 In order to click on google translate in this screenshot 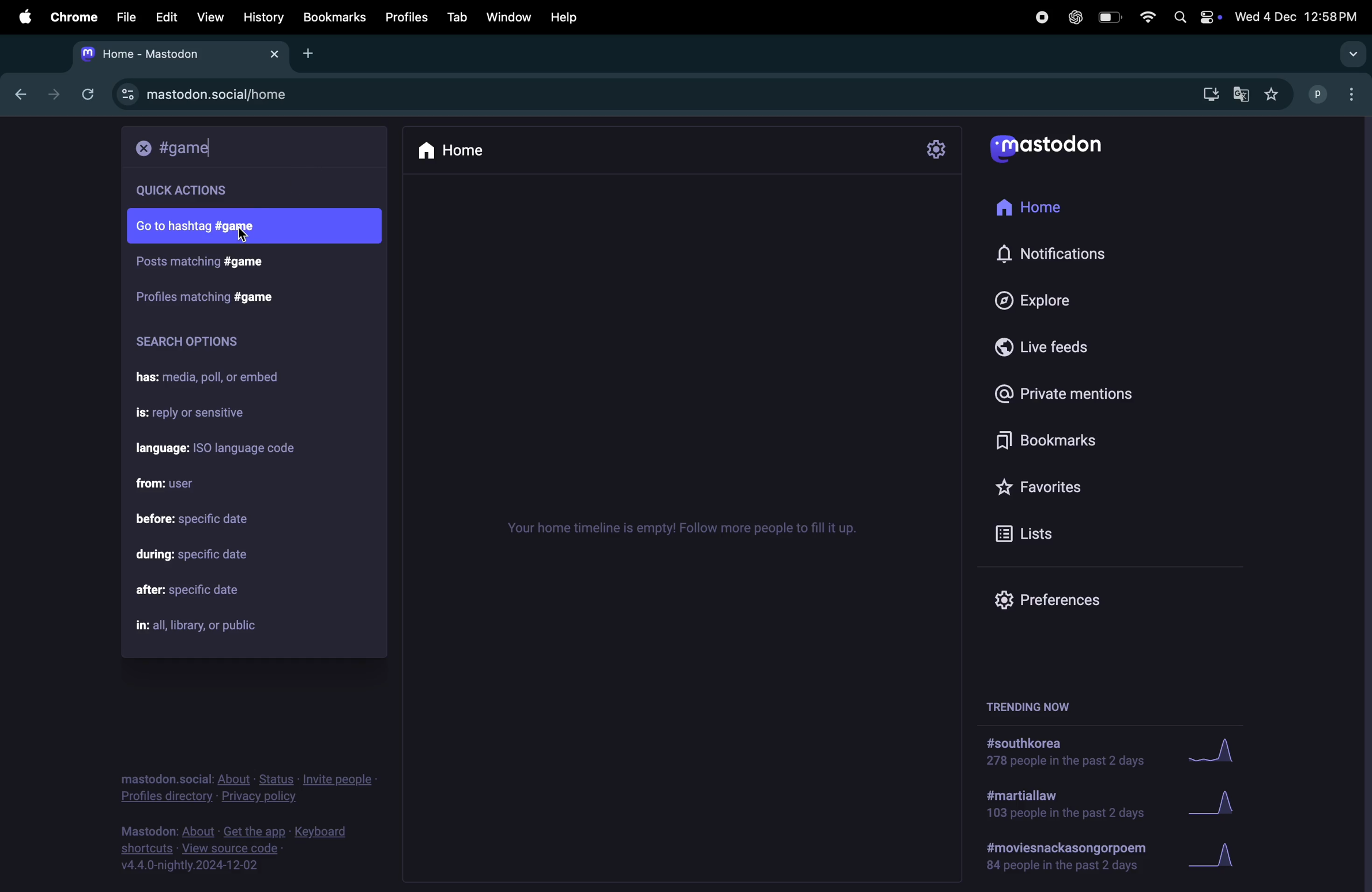, I will do `click(1243, 92)`.